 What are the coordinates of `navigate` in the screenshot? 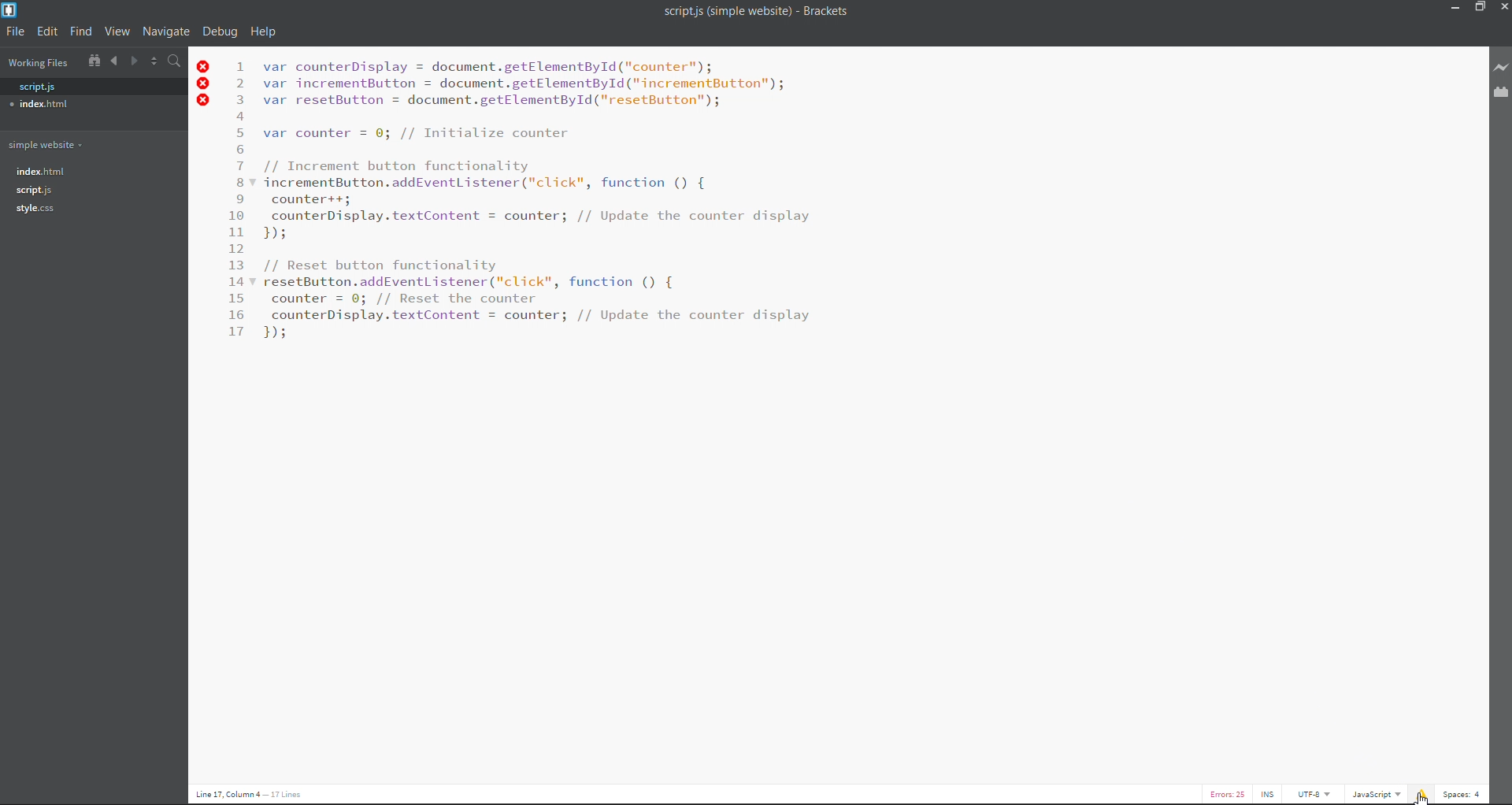 It's located at (169, 32).